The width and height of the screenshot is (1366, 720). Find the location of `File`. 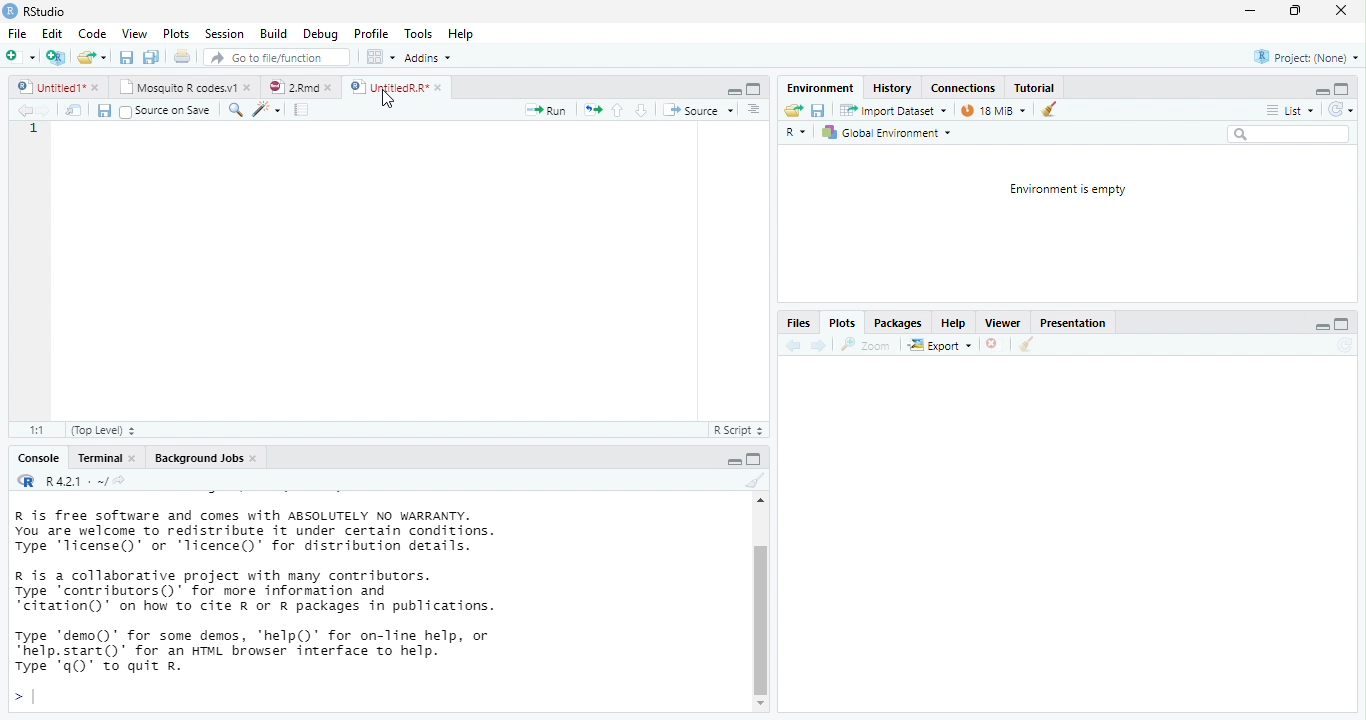

File is located at coordinates (16, 34).